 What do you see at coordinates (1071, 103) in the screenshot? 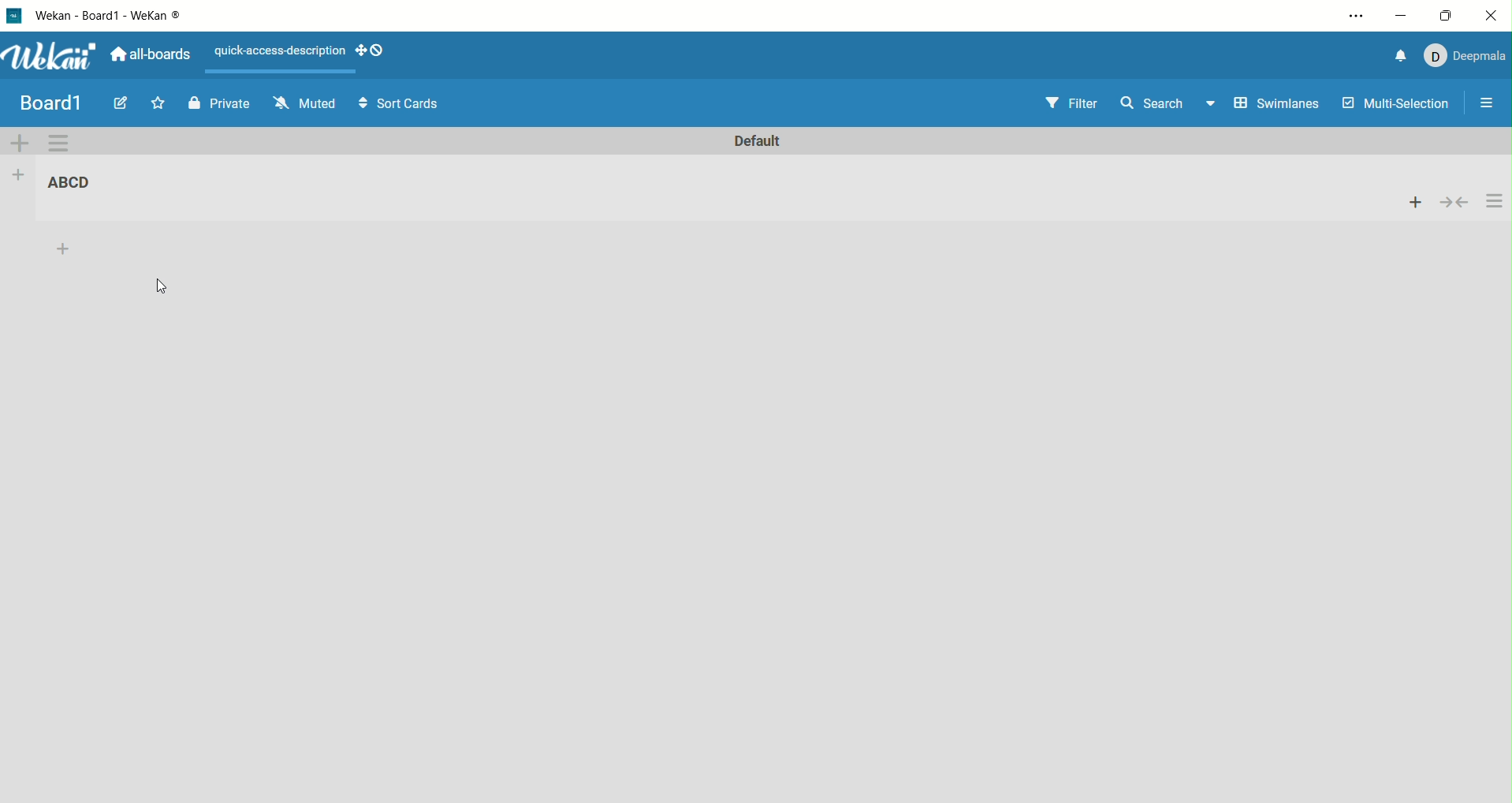
I see `filter` at bounding box center [1071, 103].